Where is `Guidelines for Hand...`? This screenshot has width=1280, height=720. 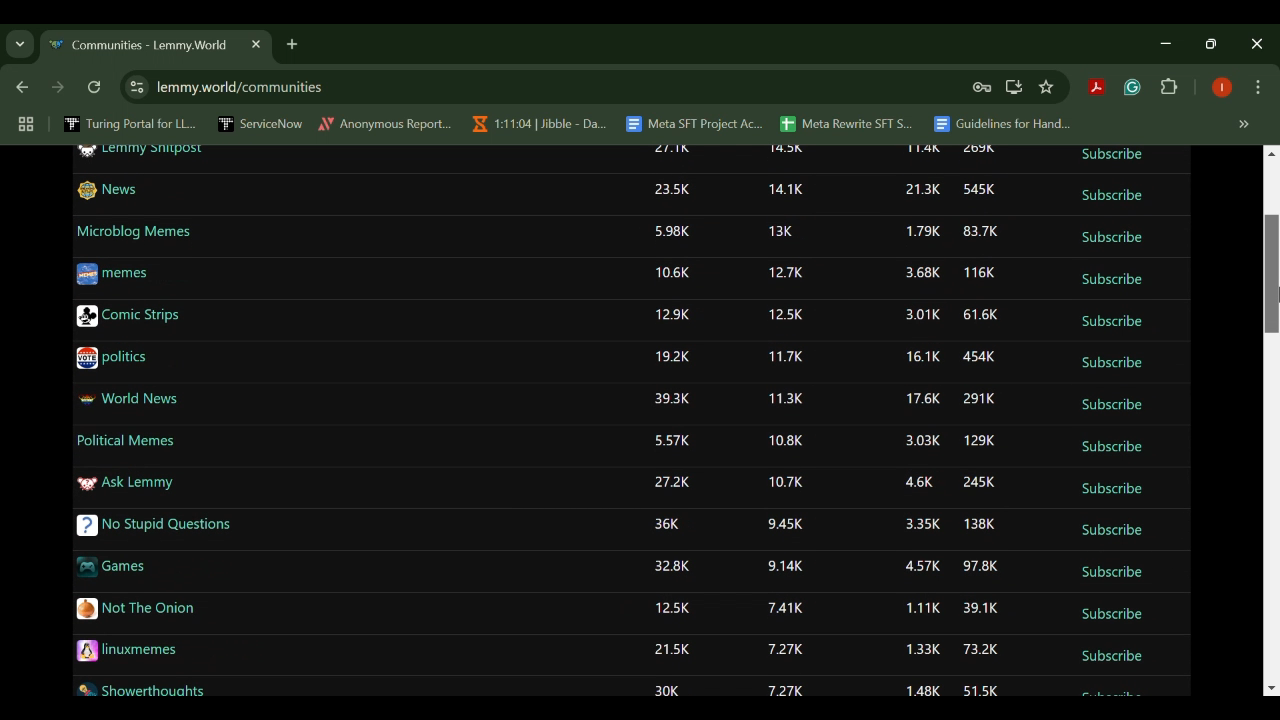 Guidelines for Hand... is located at coordinates (1000, 124).